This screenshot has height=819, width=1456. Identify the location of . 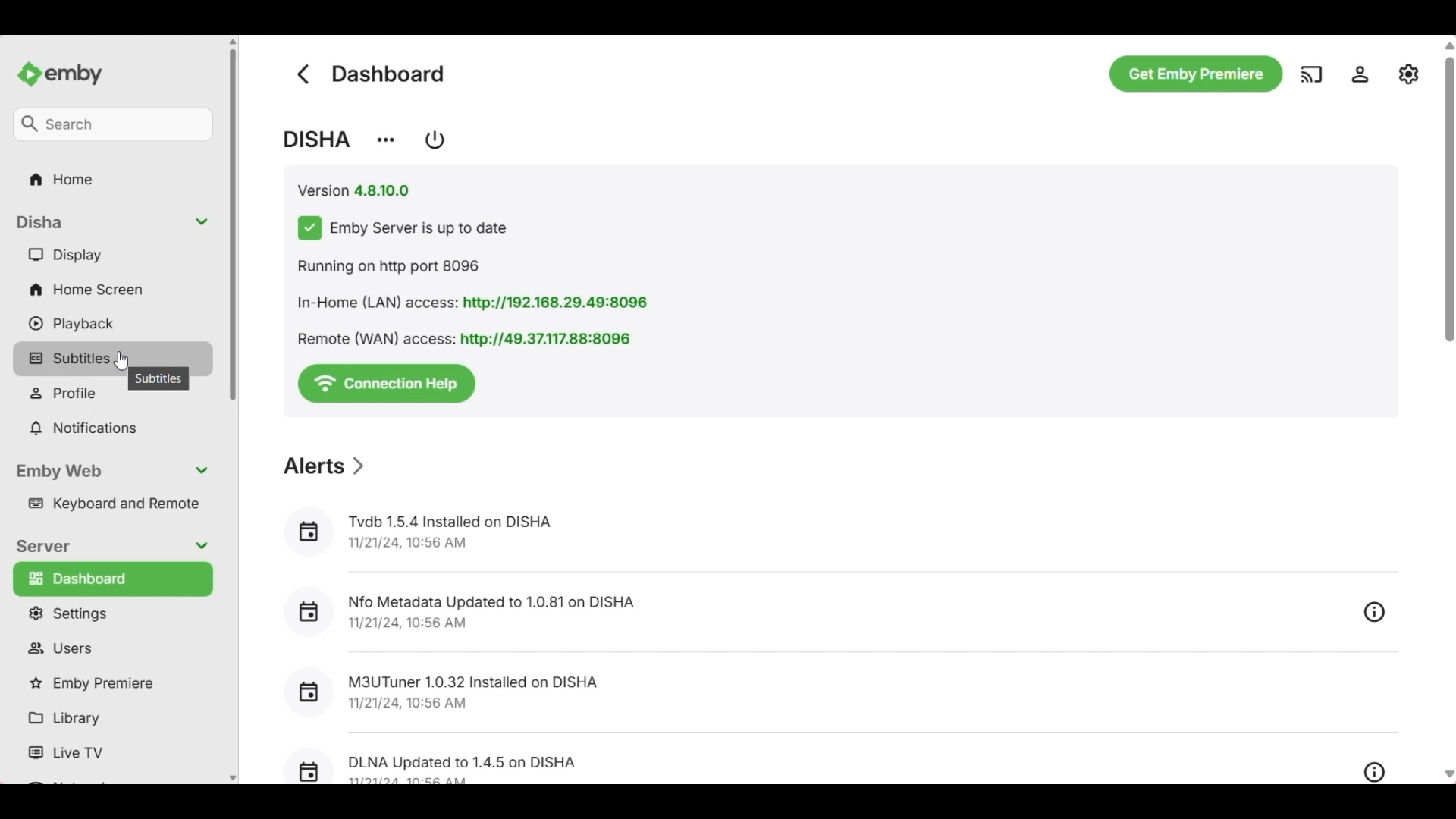
(1447, 293).